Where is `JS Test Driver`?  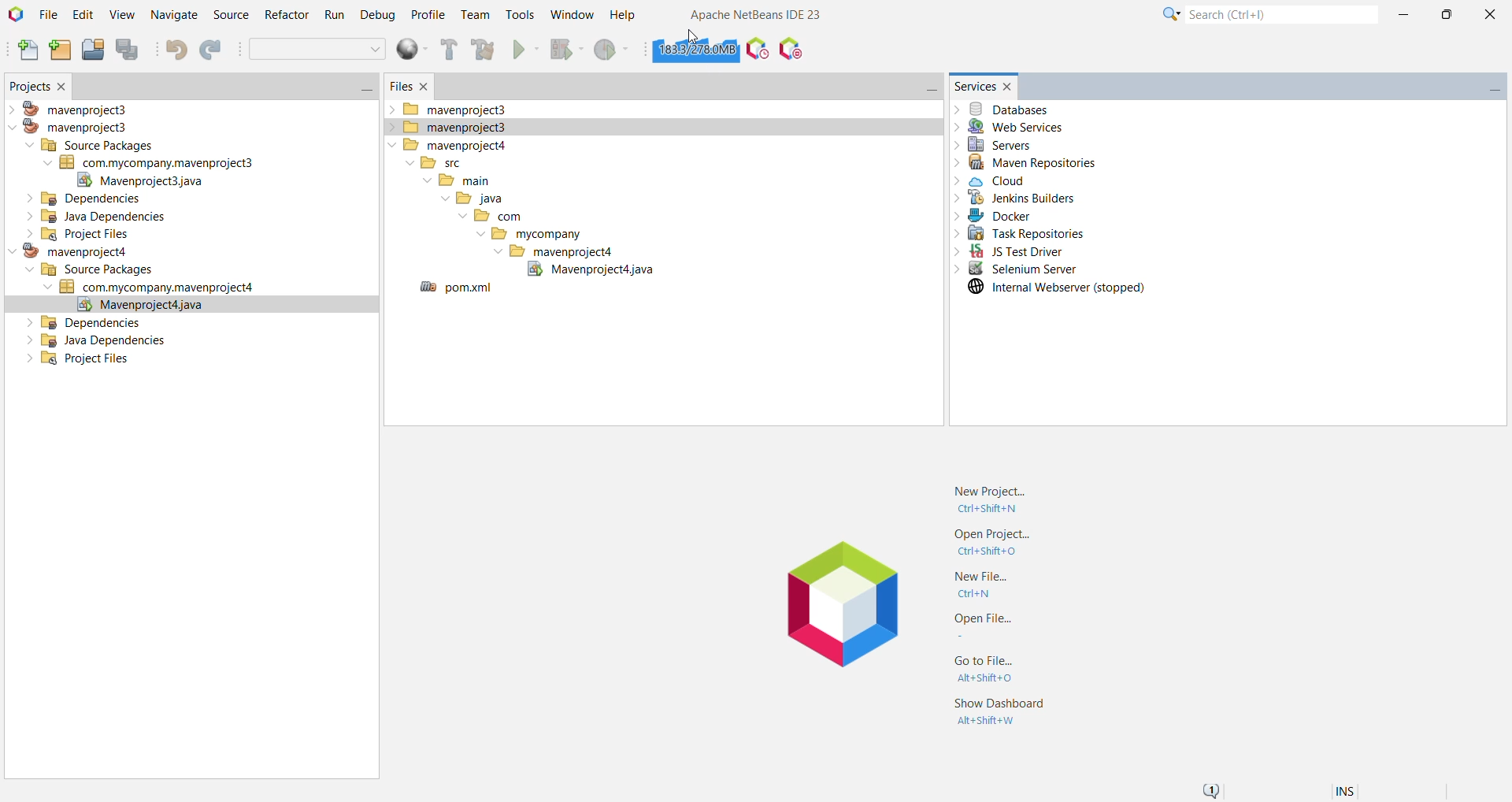 JS Test Driver is located at coordinates (1006, 253).